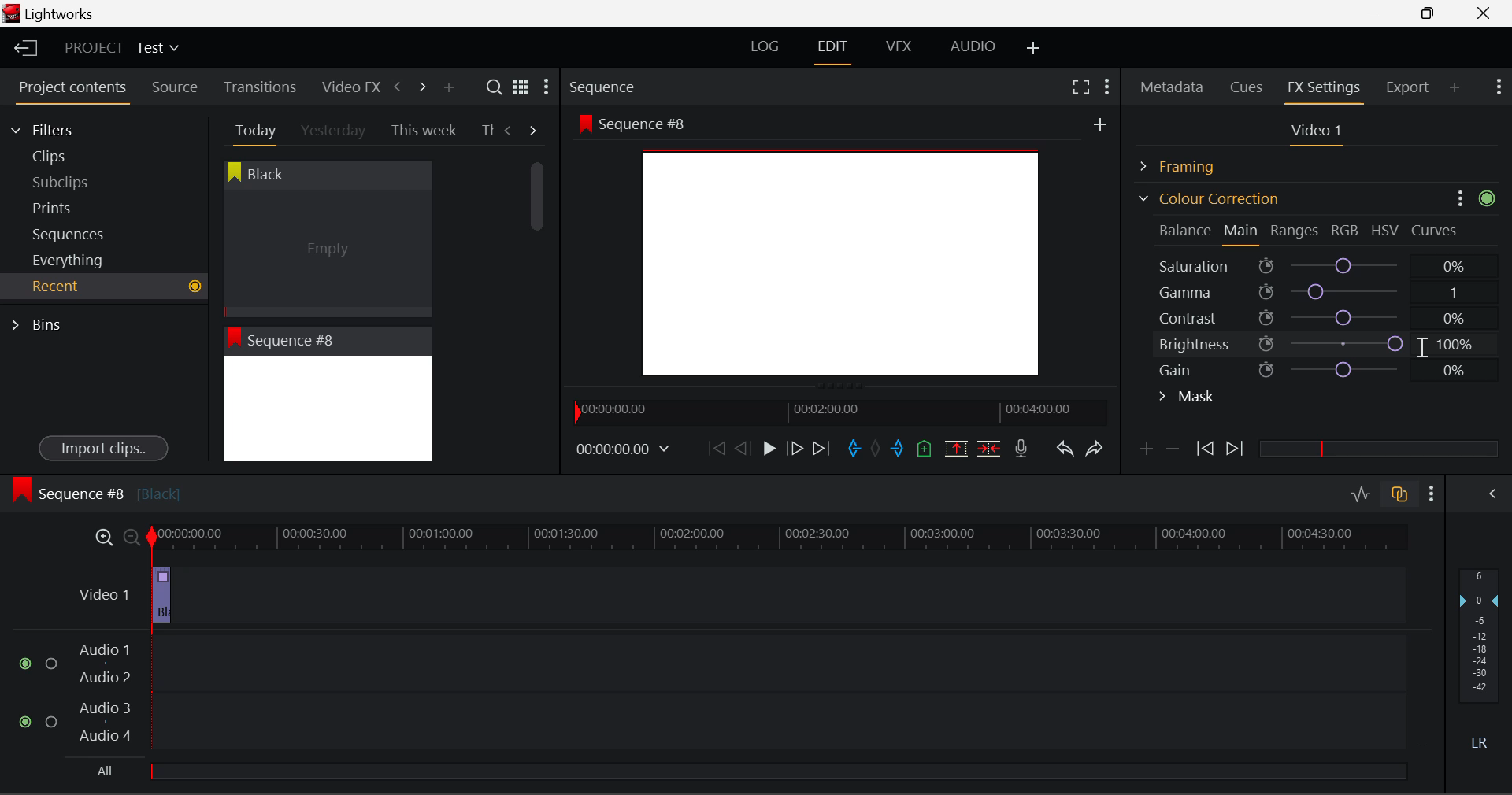 Image resolution: width=1512 pixels, height=795 pixels. I want to click on AUDIO Layout, so click(972, 46).